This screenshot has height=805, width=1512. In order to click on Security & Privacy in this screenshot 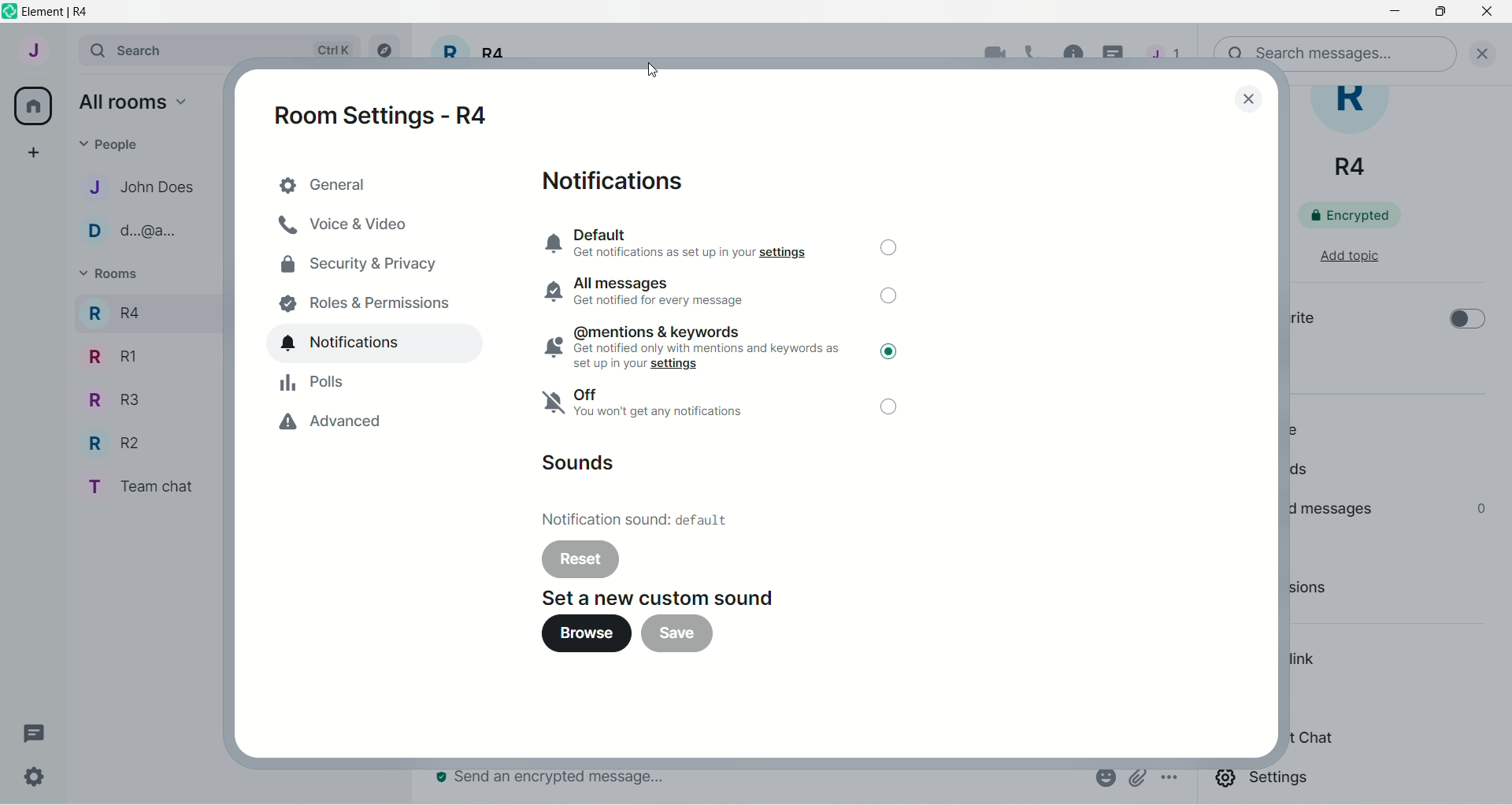, I will do `click(368, 264)`.